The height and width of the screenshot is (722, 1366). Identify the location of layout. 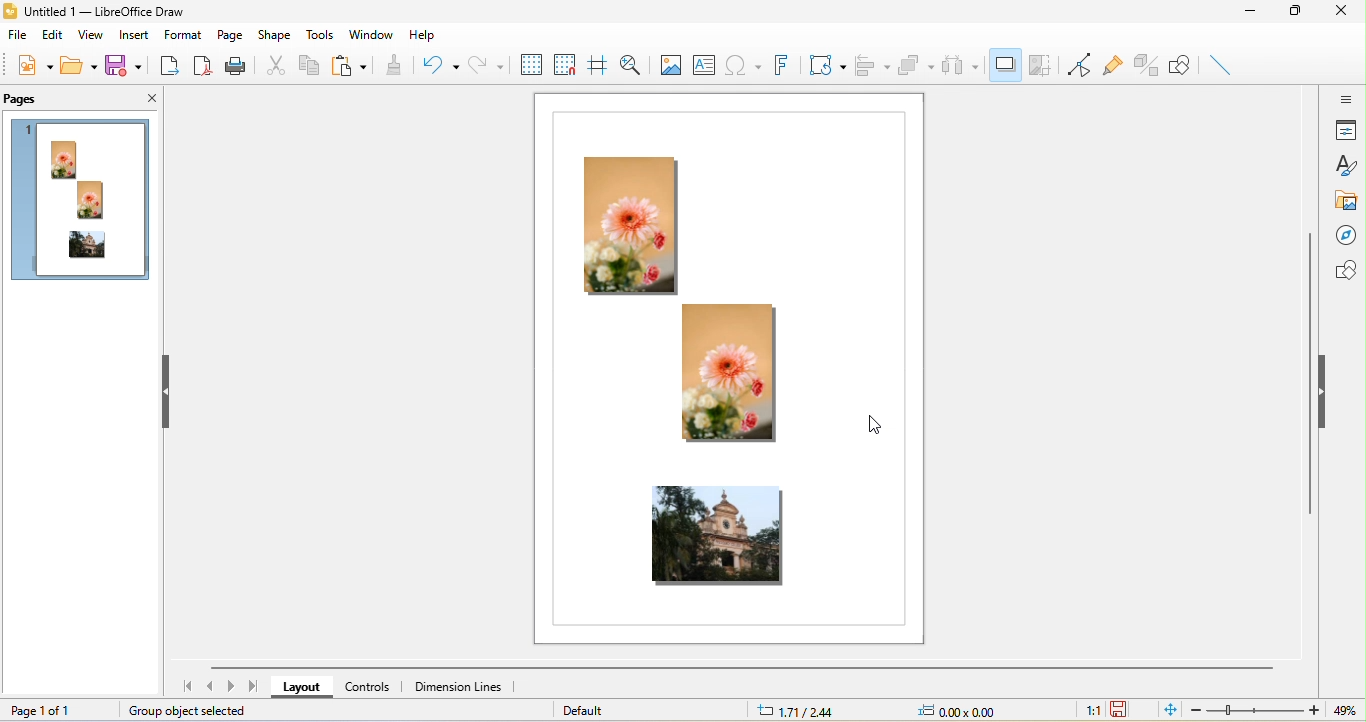
(305, 687).